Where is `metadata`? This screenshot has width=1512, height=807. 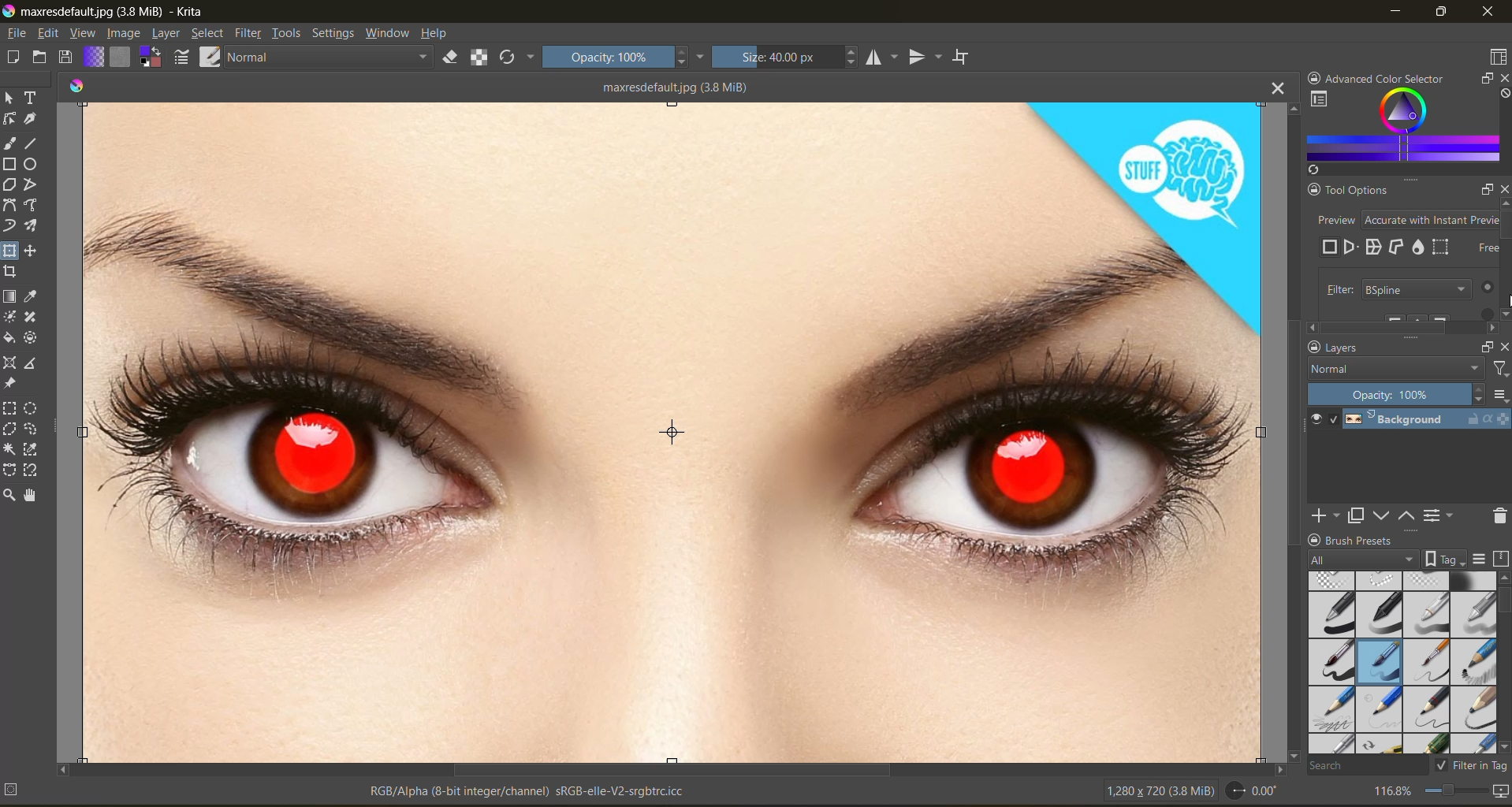
metadata is located at coordinates (348, 793).